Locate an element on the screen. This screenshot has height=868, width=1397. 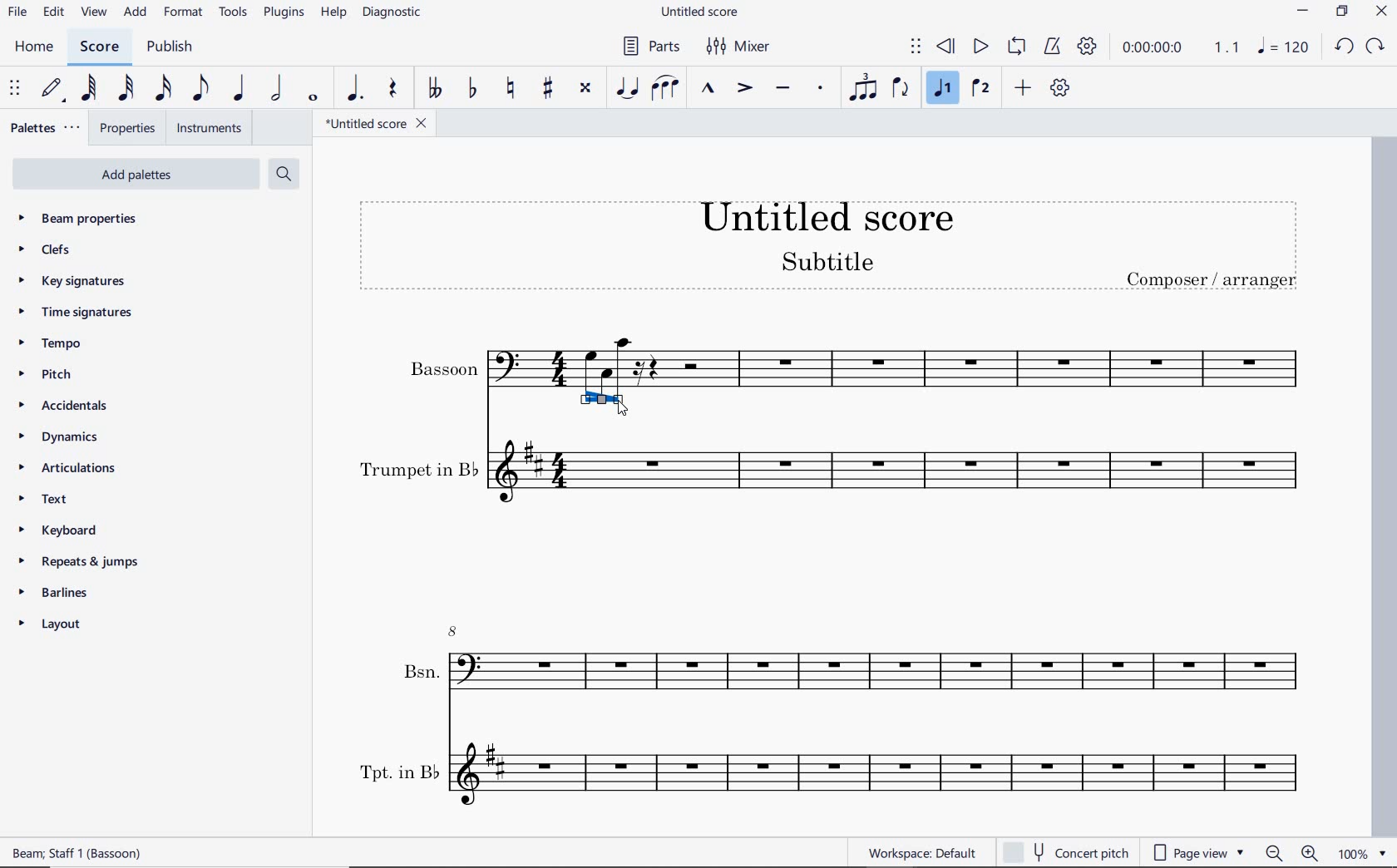
add is located at coordinates (1023, 89).